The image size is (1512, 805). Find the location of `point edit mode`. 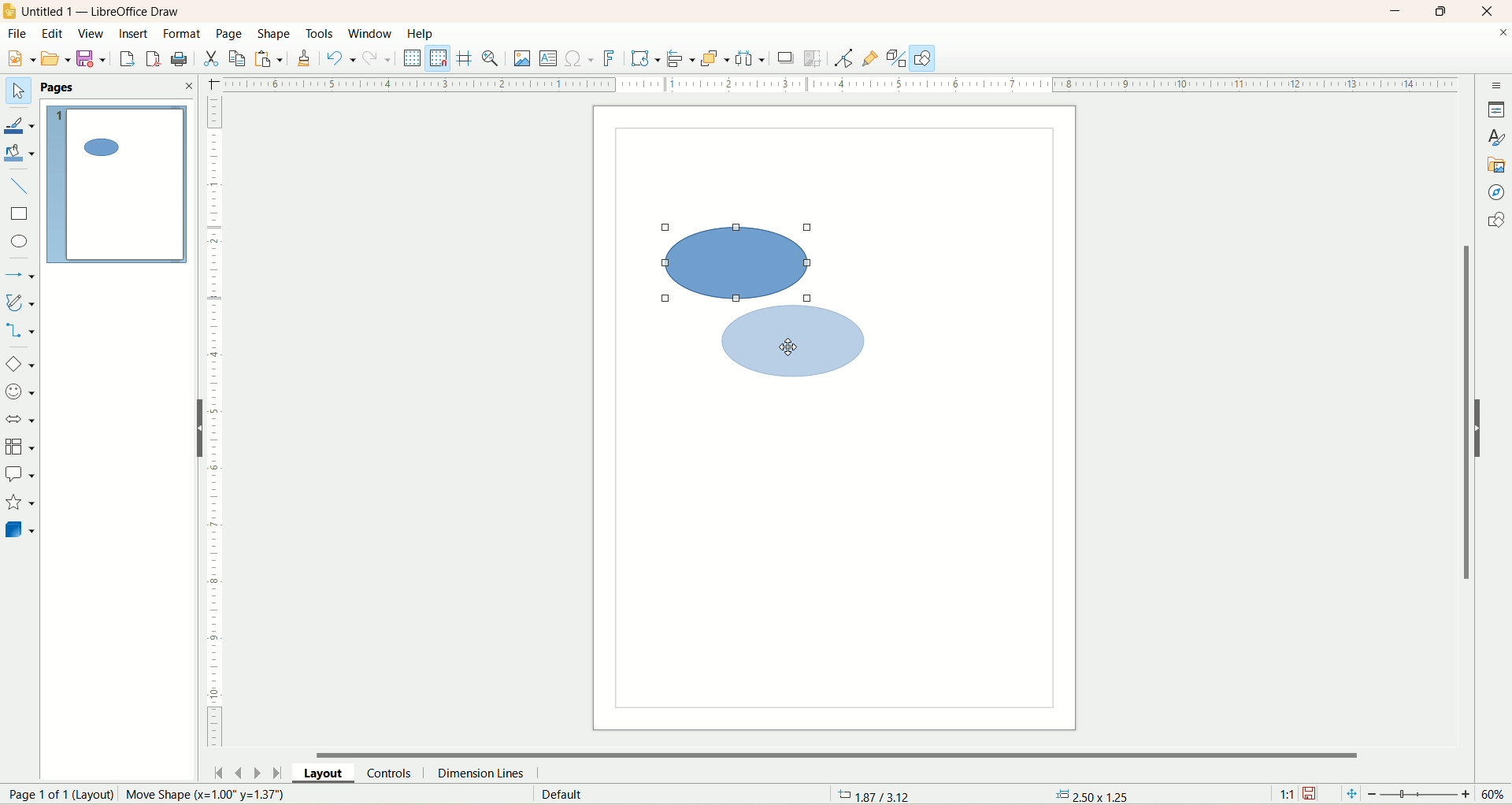

point edit mode is located at coordinates (847, 60).